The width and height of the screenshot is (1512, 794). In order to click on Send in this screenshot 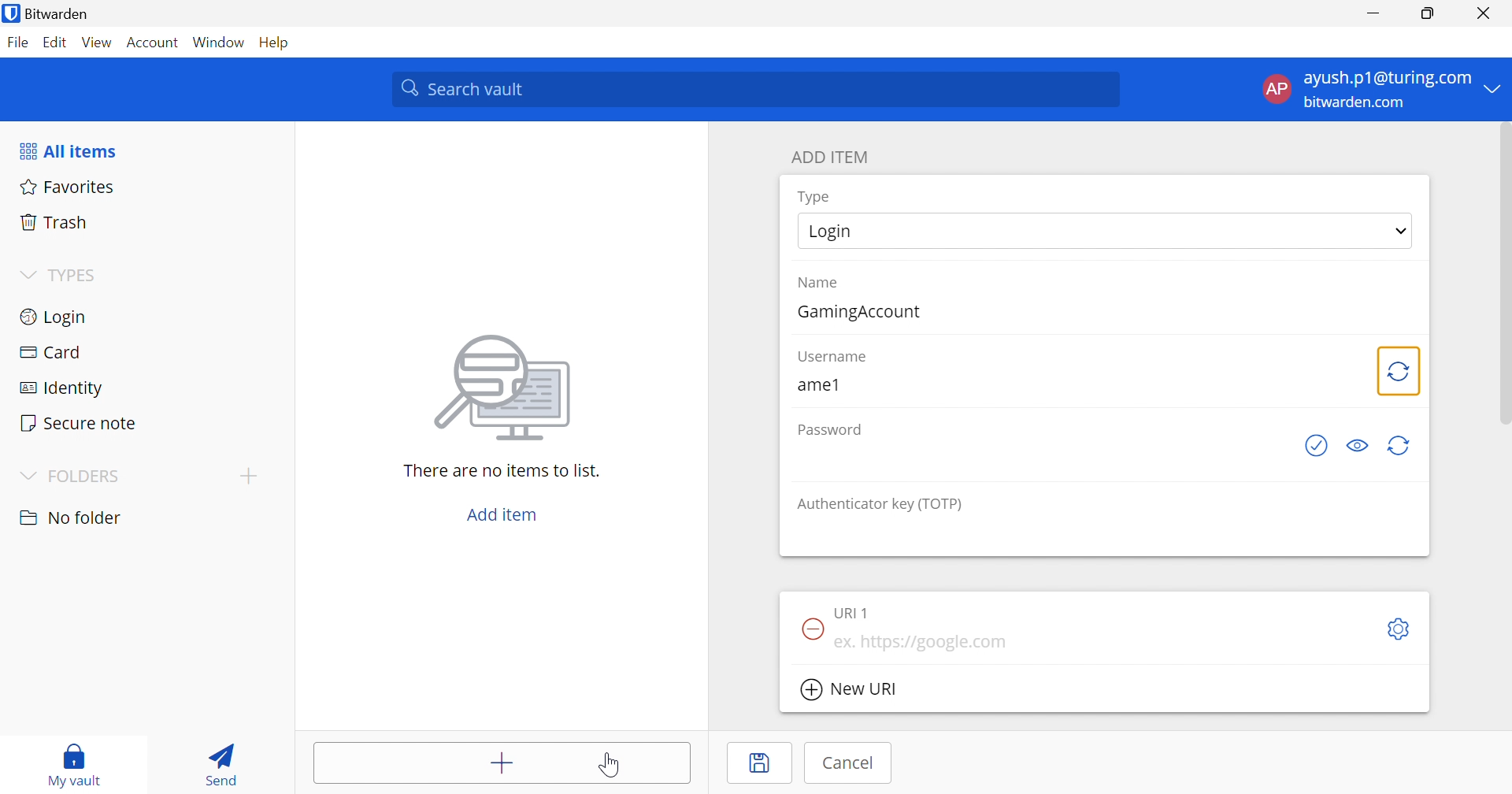, I will do `click(220, 762)`.